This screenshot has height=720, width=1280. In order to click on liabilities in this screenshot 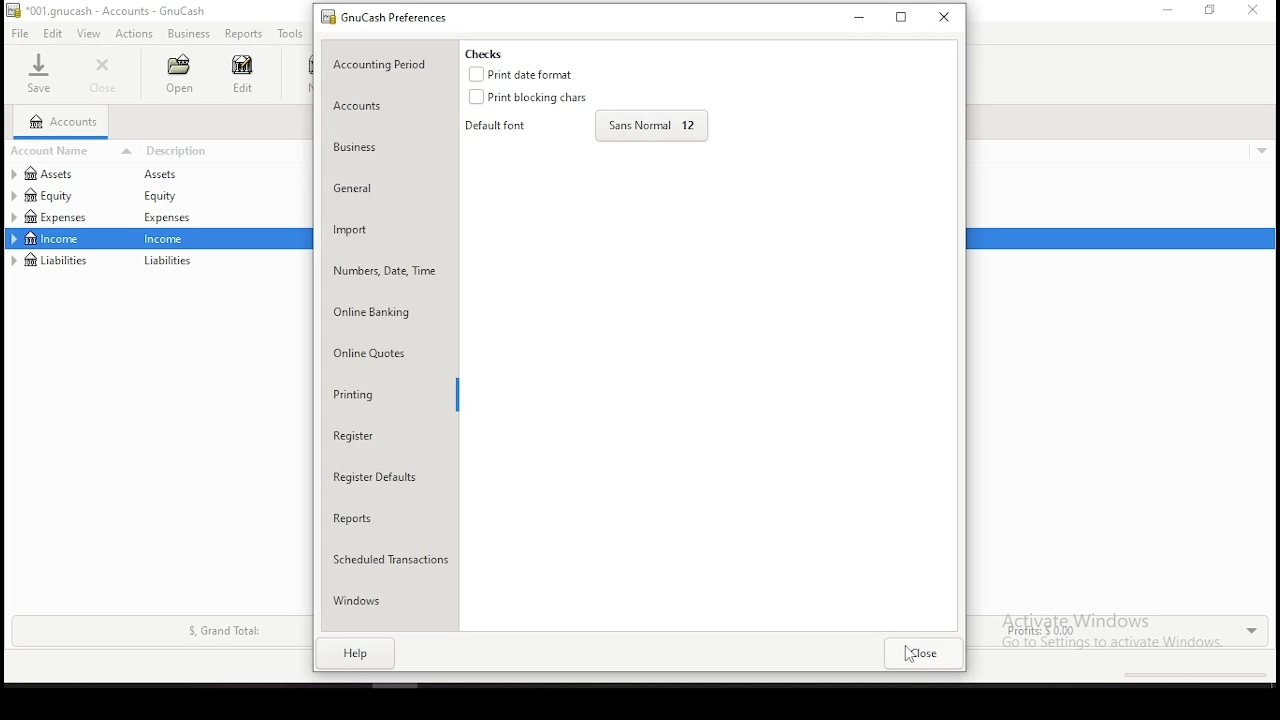, I will do `click(168, 262)`.